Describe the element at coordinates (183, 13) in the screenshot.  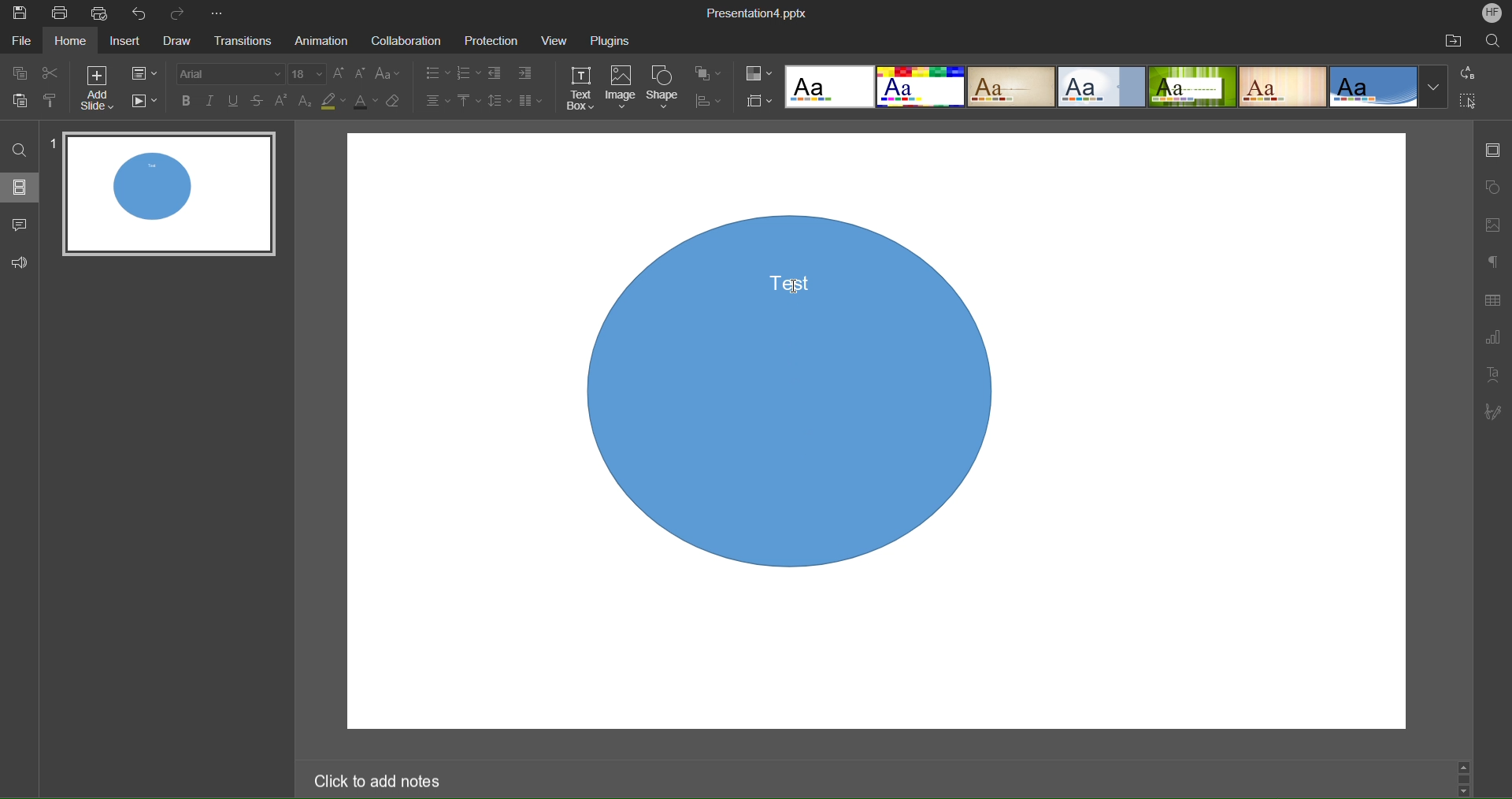
I see `Redo` at that location.